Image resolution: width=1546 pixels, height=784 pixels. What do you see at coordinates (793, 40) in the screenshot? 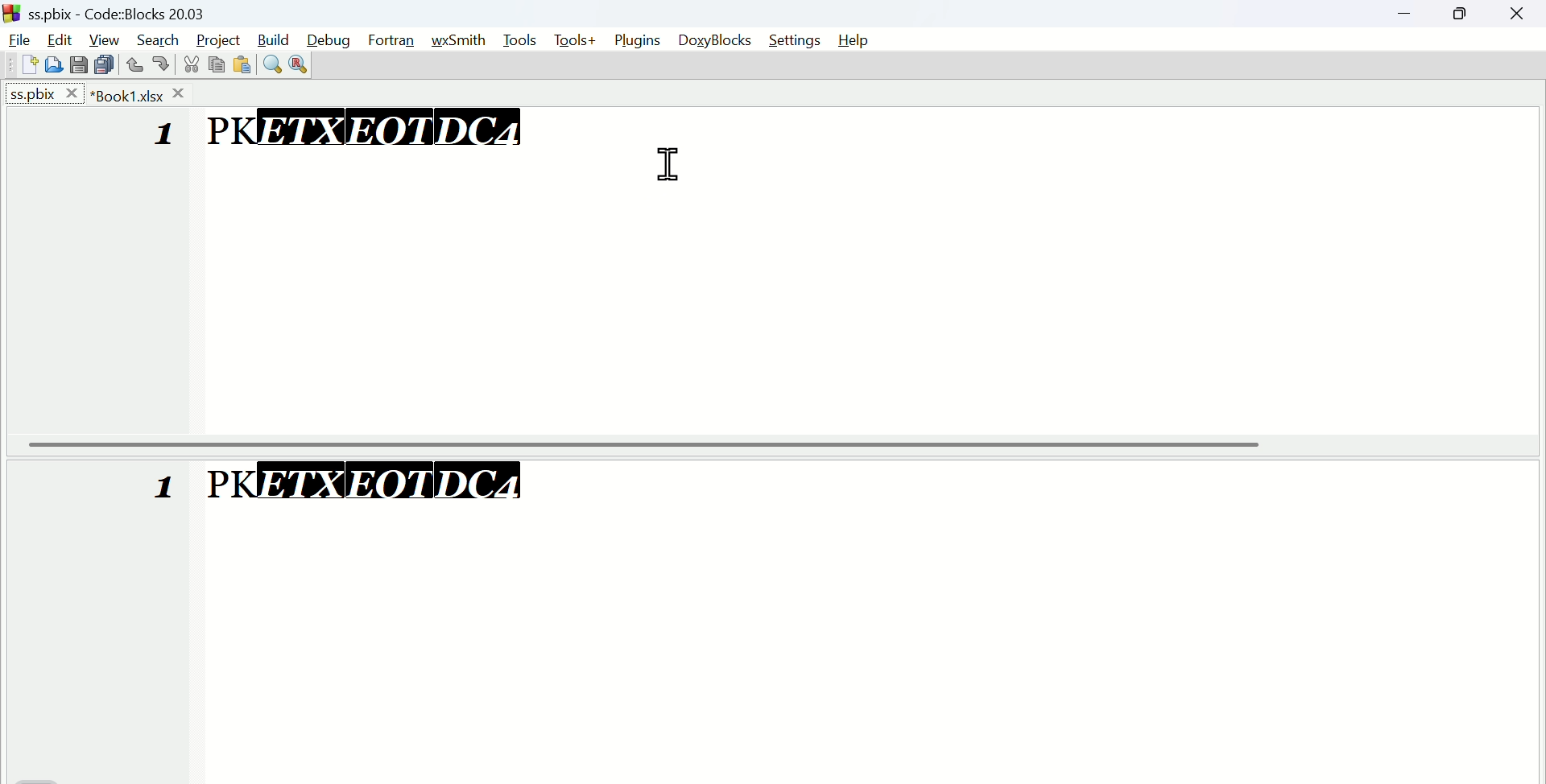
I see `Settings` at bounding box center [793, 40].